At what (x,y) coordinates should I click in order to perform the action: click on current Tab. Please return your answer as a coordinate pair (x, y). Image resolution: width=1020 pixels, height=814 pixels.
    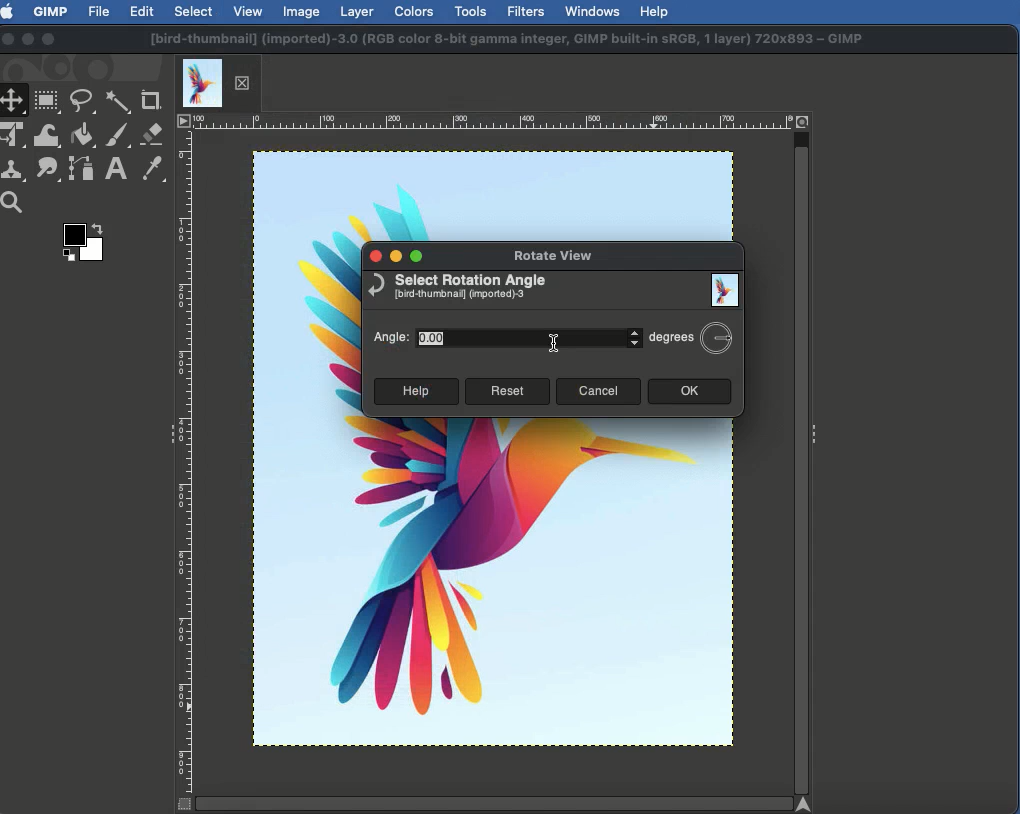
    Looking at the image, I should click on (202, 81).